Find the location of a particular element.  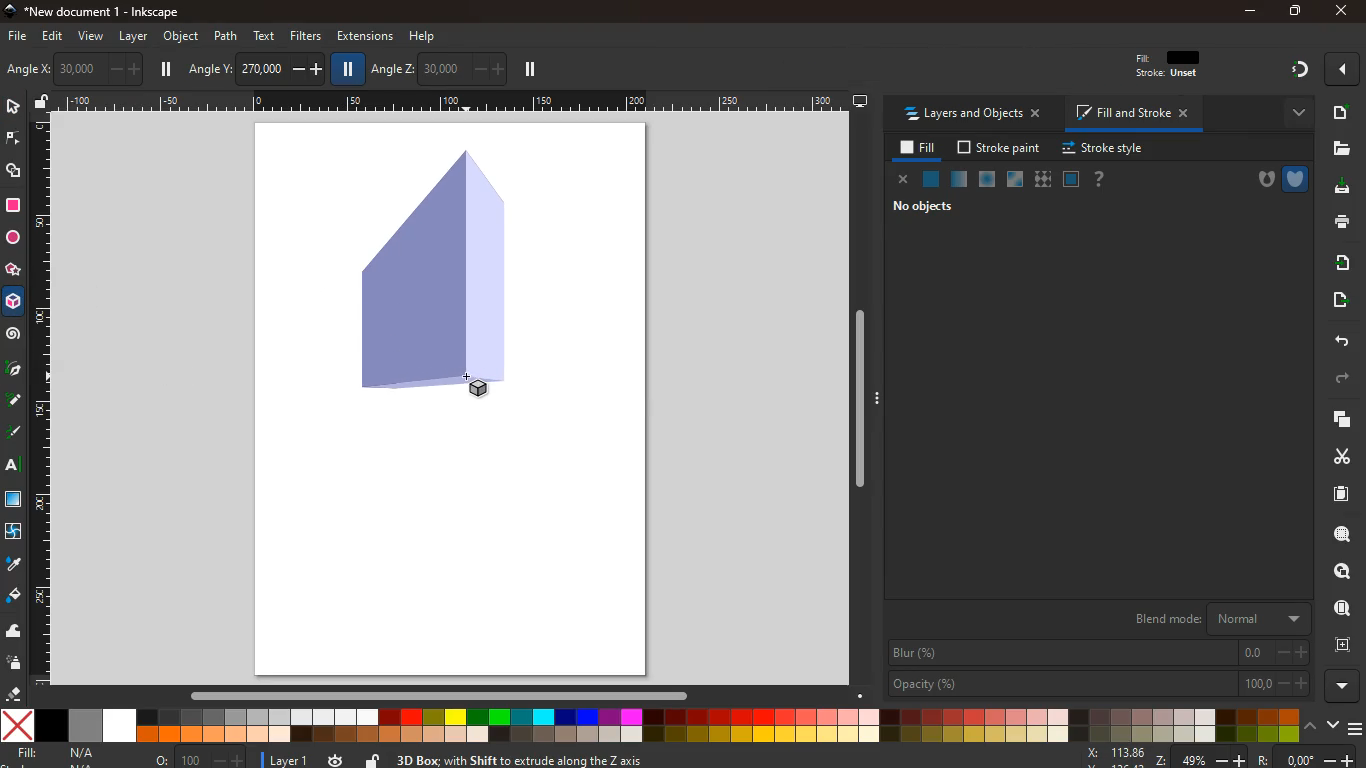

drop is located at coordinates (12, 564).